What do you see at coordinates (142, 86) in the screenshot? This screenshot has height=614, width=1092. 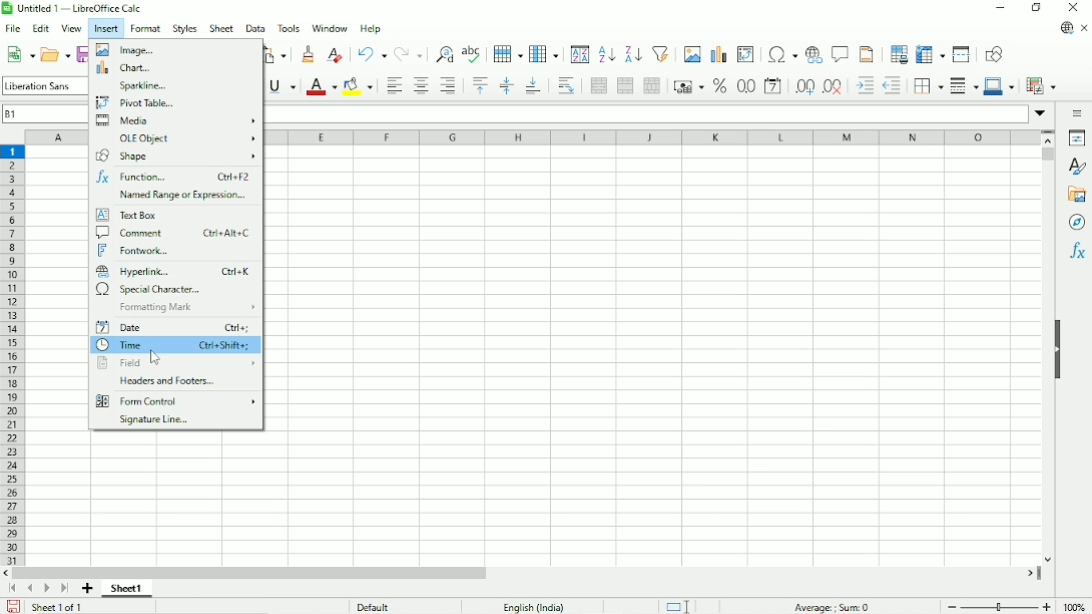 I see `Sparkline` at bounding box center [142, 86].